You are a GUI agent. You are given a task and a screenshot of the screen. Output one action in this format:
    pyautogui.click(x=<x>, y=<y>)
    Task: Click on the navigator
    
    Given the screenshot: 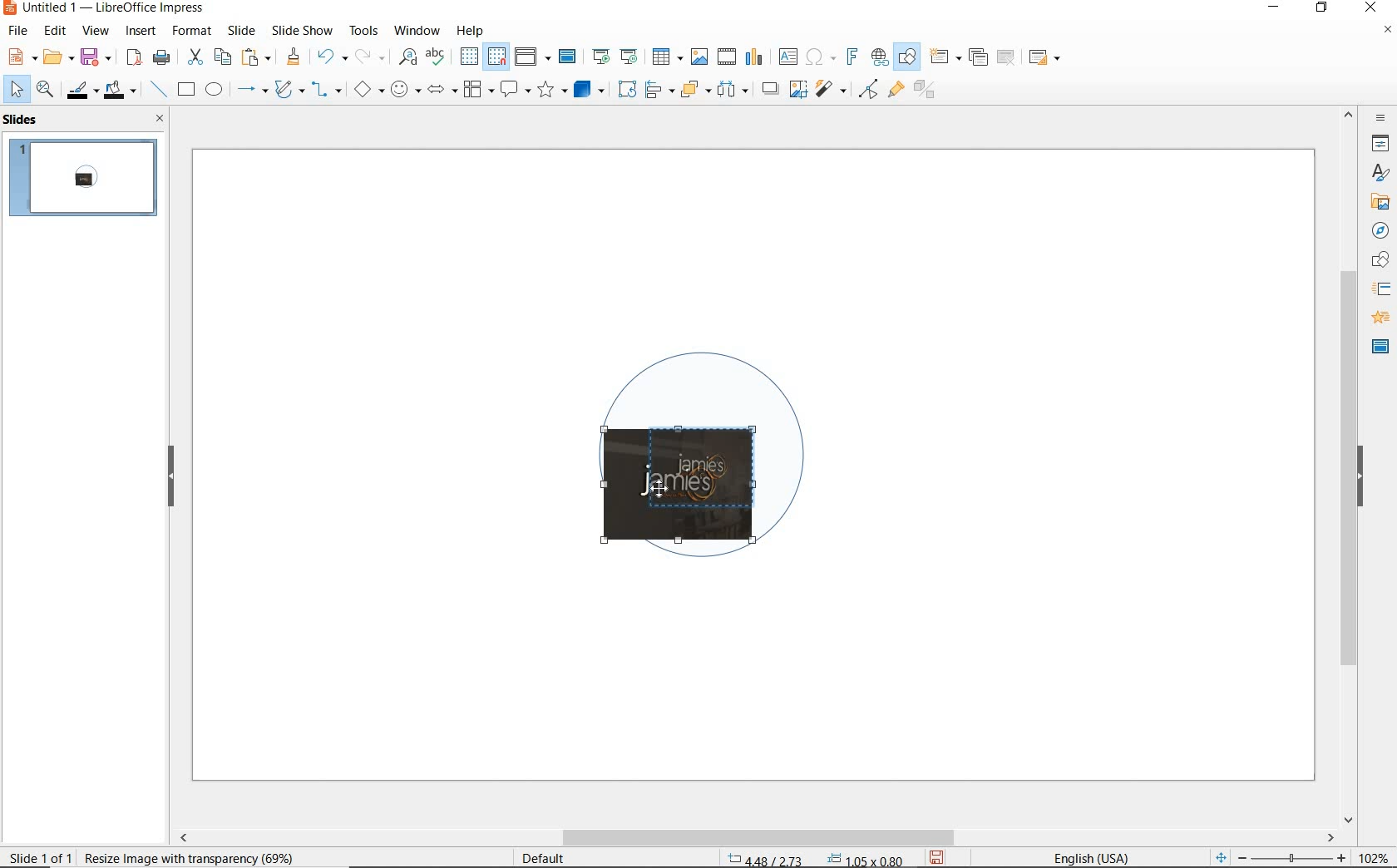 What is the action you would take?
    pyautogui.click(x=1379, y=229)
    